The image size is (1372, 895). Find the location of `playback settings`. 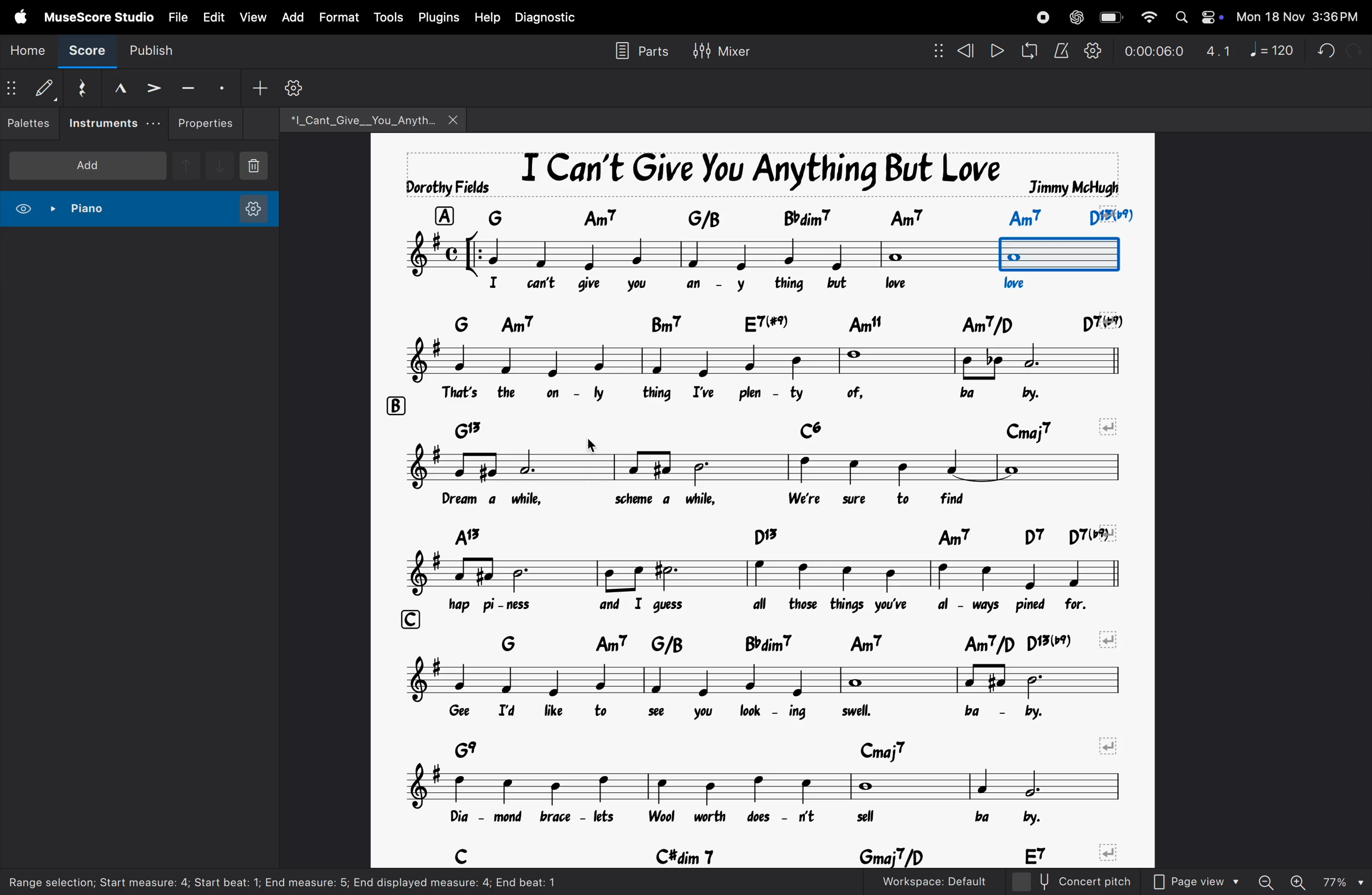

playback settings is located at coordinates (1091, 51).